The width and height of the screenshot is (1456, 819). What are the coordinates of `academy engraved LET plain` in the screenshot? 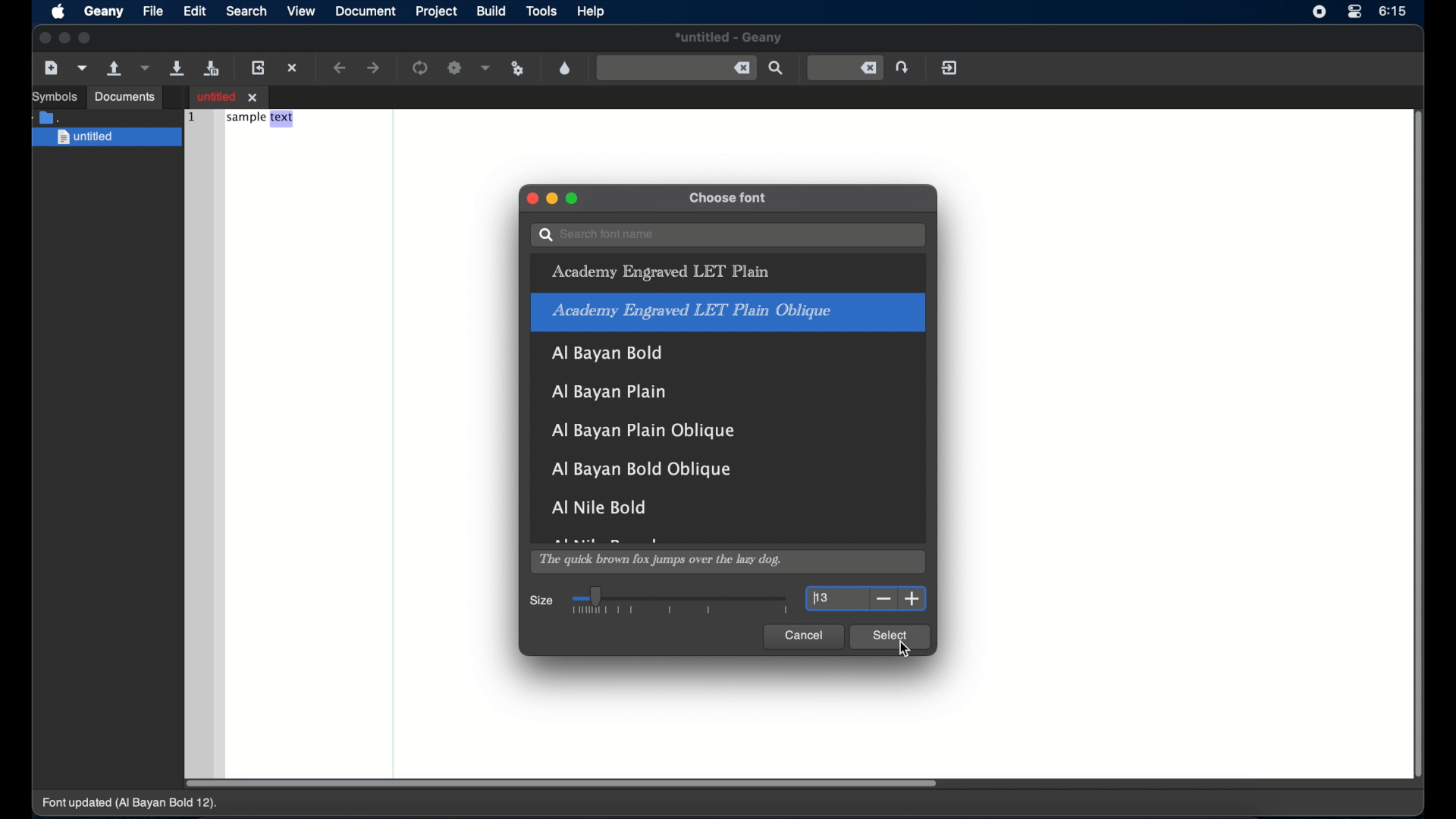 It's located at (660, 272).